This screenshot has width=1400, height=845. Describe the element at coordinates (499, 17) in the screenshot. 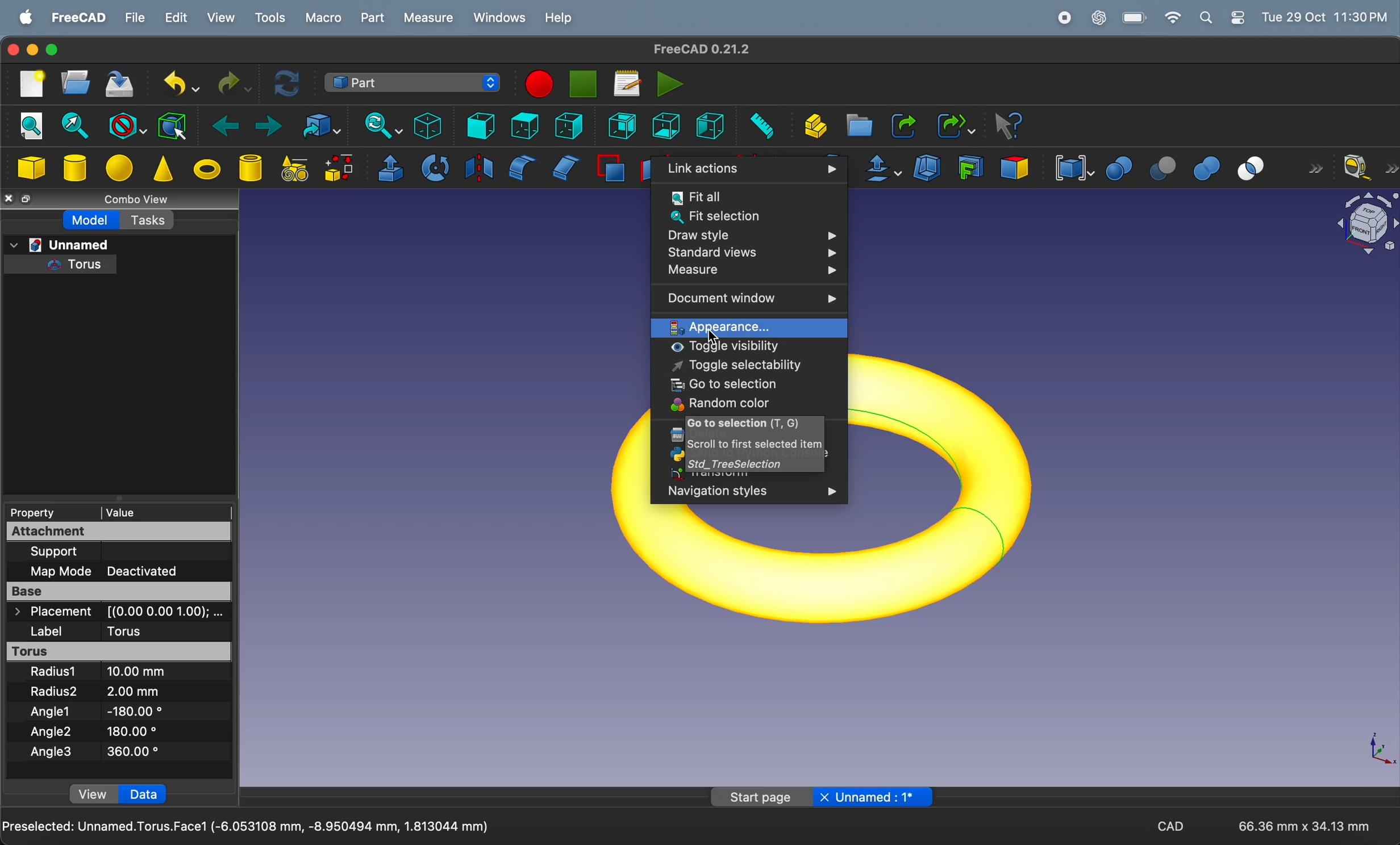

I see `windows` at that location.